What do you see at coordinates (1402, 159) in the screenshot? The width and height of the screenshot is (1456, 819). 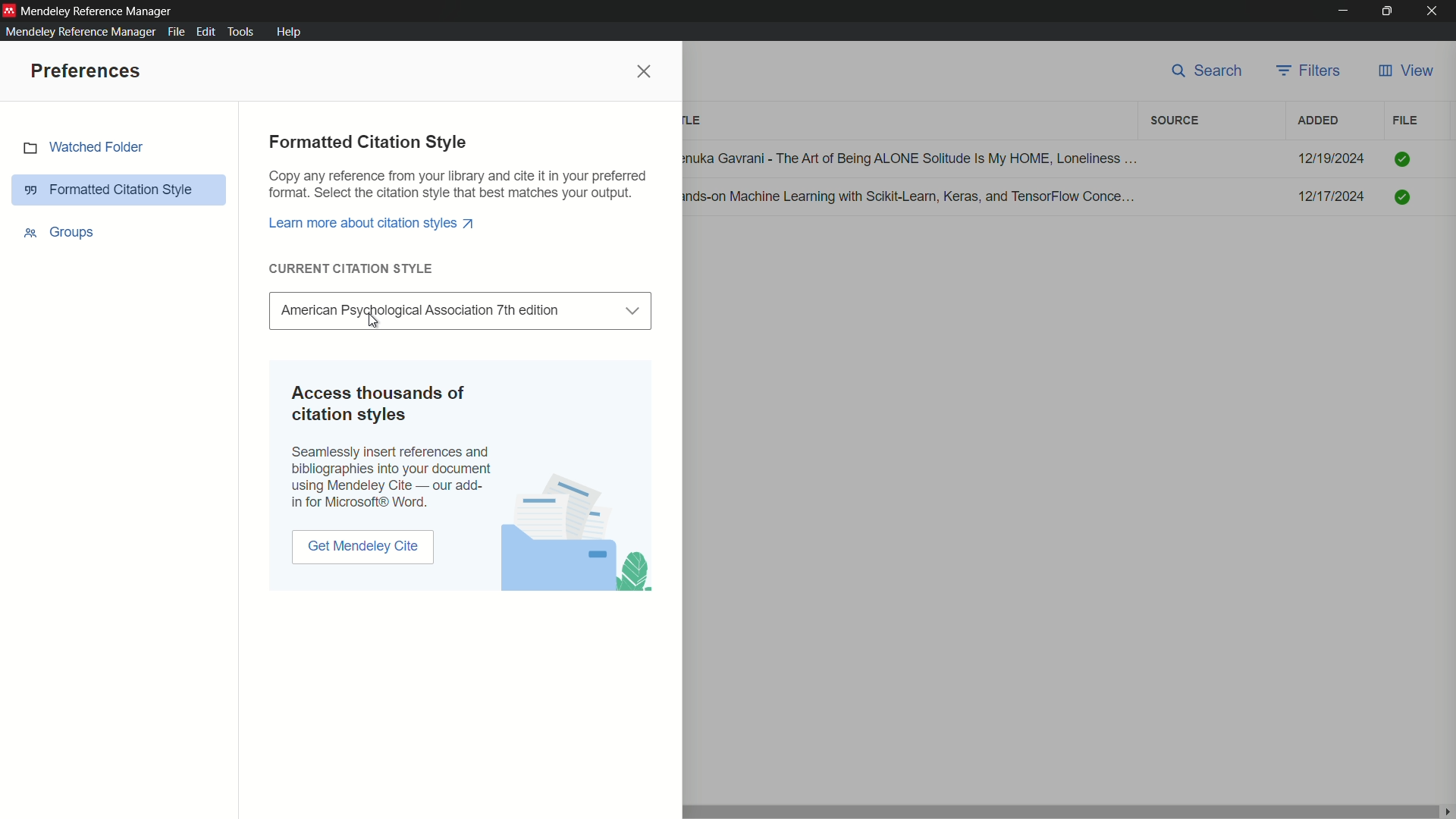 I see `Checked` at bounding box center [1402, 159].